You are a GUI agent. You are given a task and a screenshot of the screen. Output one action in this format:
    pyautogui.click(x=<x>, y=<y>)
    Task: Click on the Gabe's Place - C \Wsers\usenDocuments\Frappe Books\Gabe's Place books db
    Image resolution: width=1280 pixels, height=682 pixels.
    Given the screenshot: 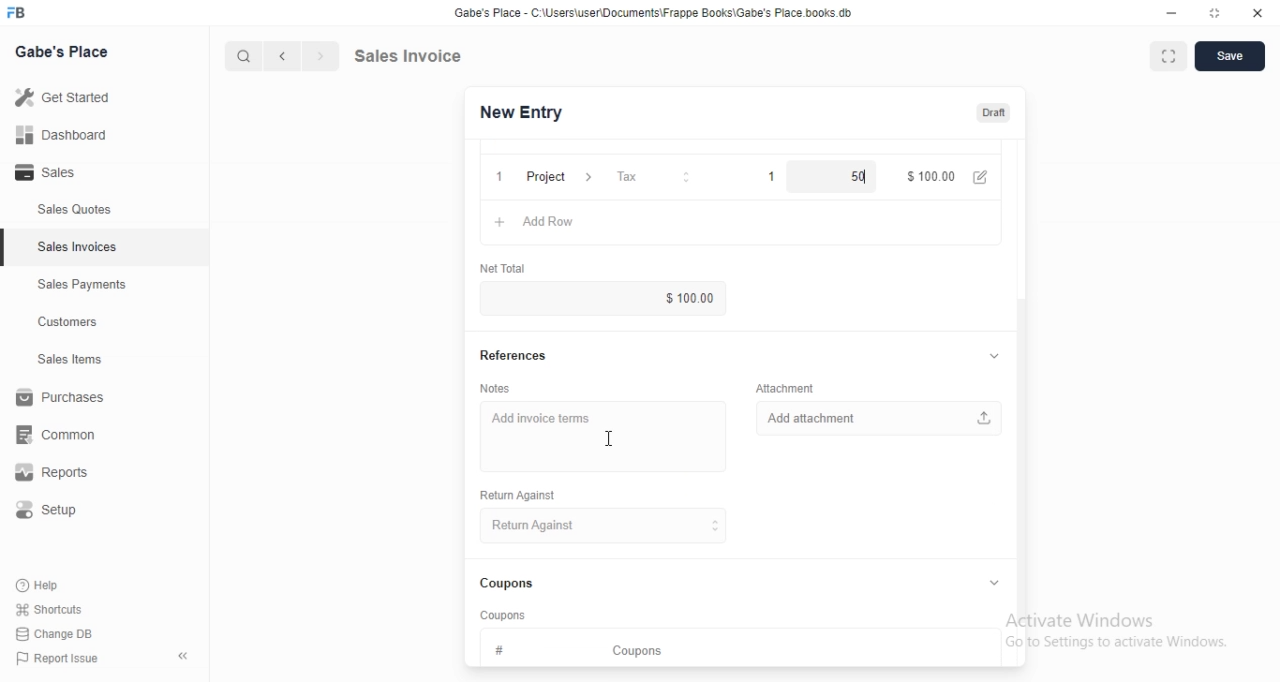 What is the action you would take?
    pyautogui.click(x=658, y=16)
    